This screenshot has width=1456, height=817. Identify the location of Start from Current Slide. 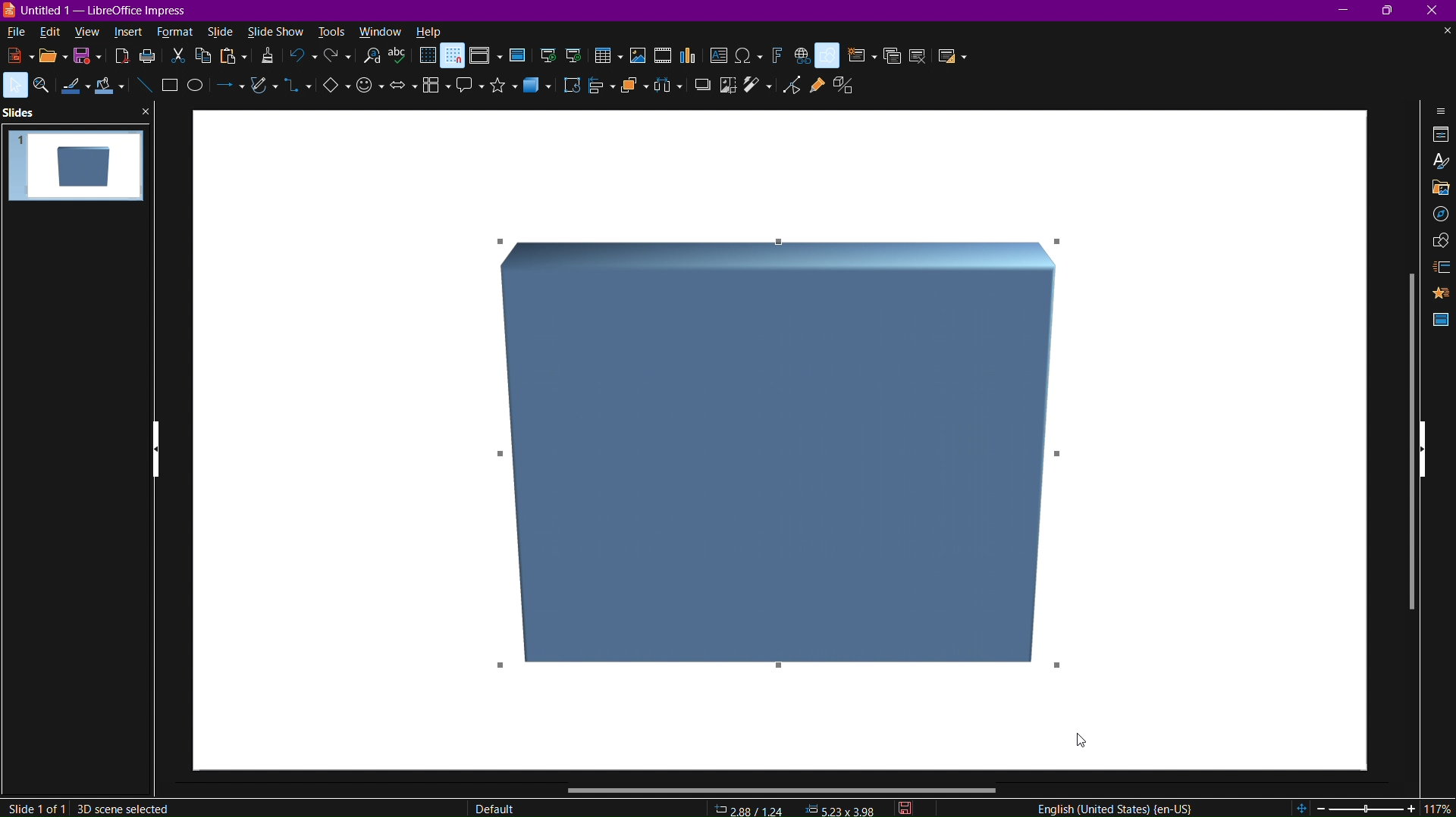
(577, 55).